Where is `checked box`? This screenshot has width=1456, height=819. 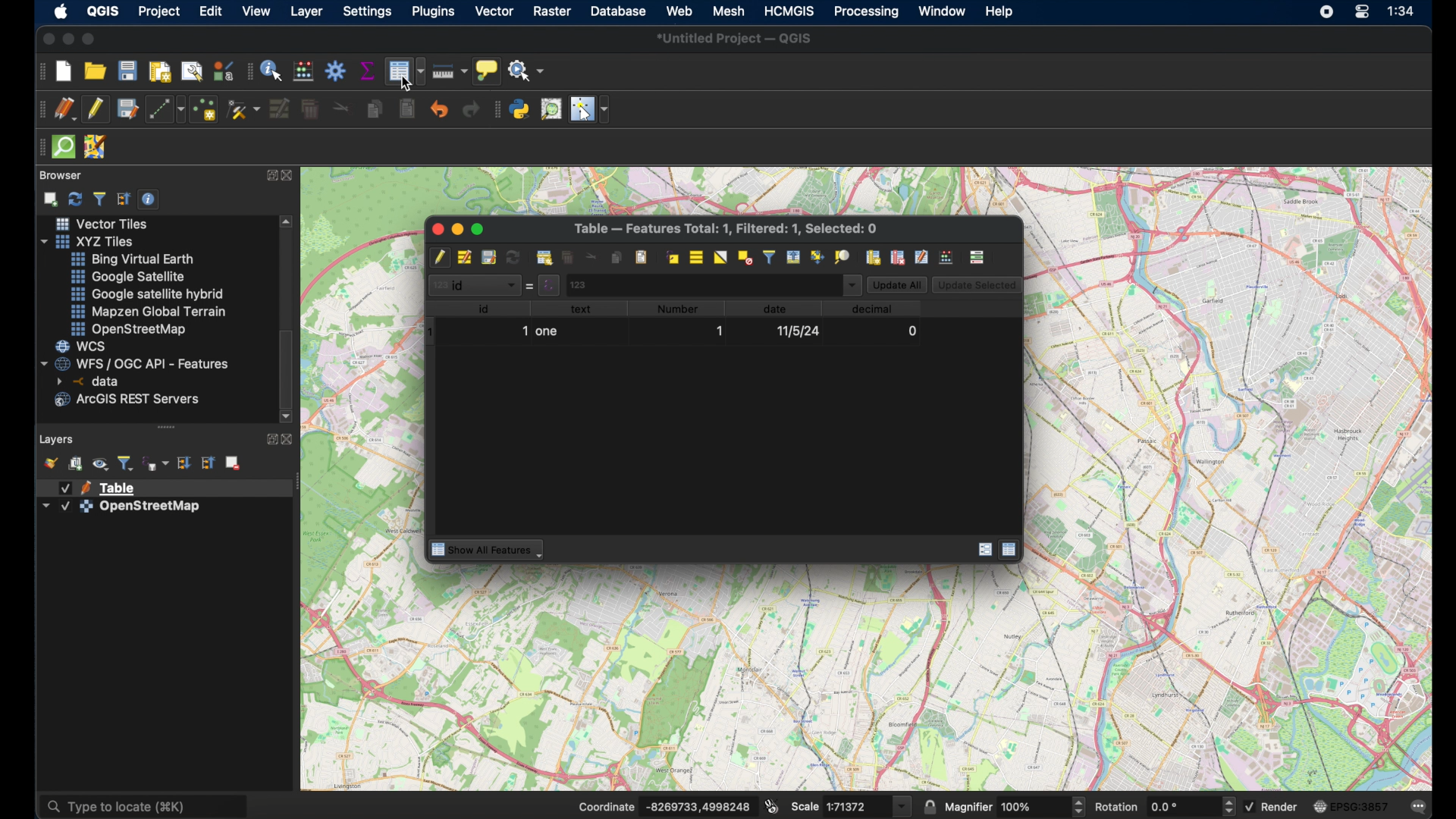 checked box is located at coordinates (1255, 808).